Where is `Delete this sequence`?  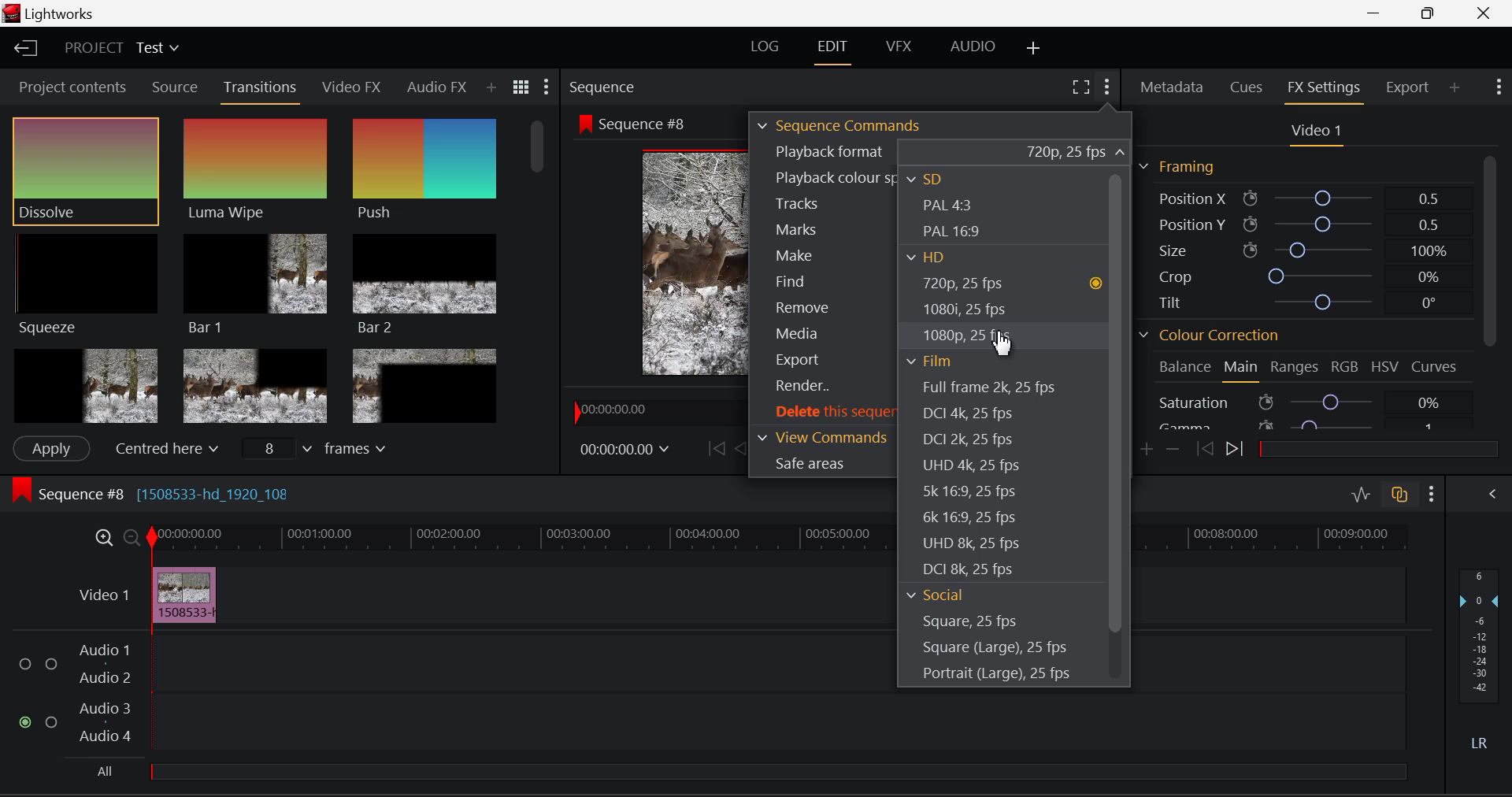 Delete this sequence is located at coordinates (825, 413).